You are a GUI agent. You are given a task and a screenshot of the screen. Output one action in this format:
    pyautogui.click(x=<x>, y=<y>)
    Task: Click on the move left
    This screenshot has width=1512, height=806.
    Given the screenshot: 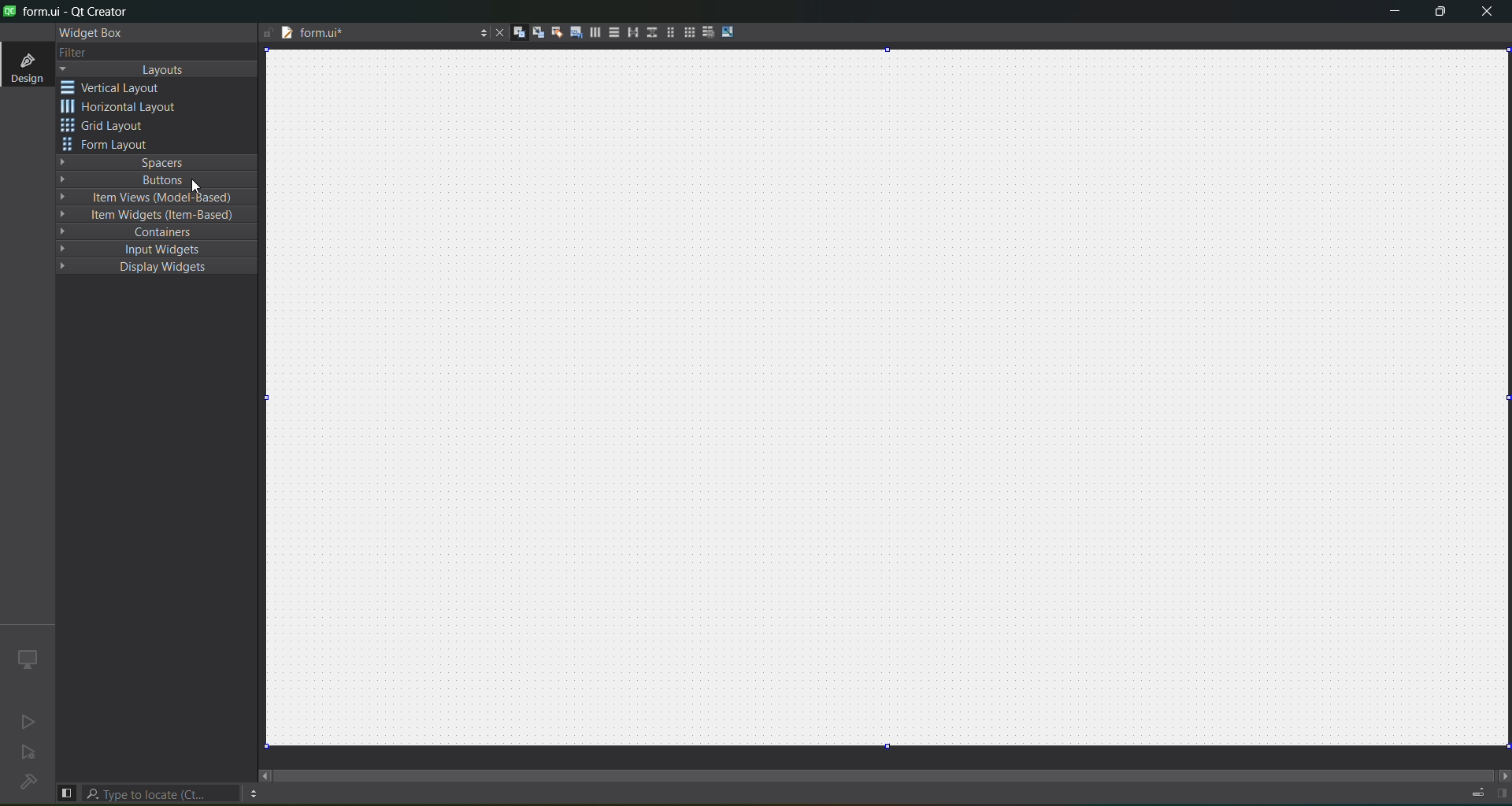 What is the action you would take?
    pyautogui.click(x=265, y=775)
    